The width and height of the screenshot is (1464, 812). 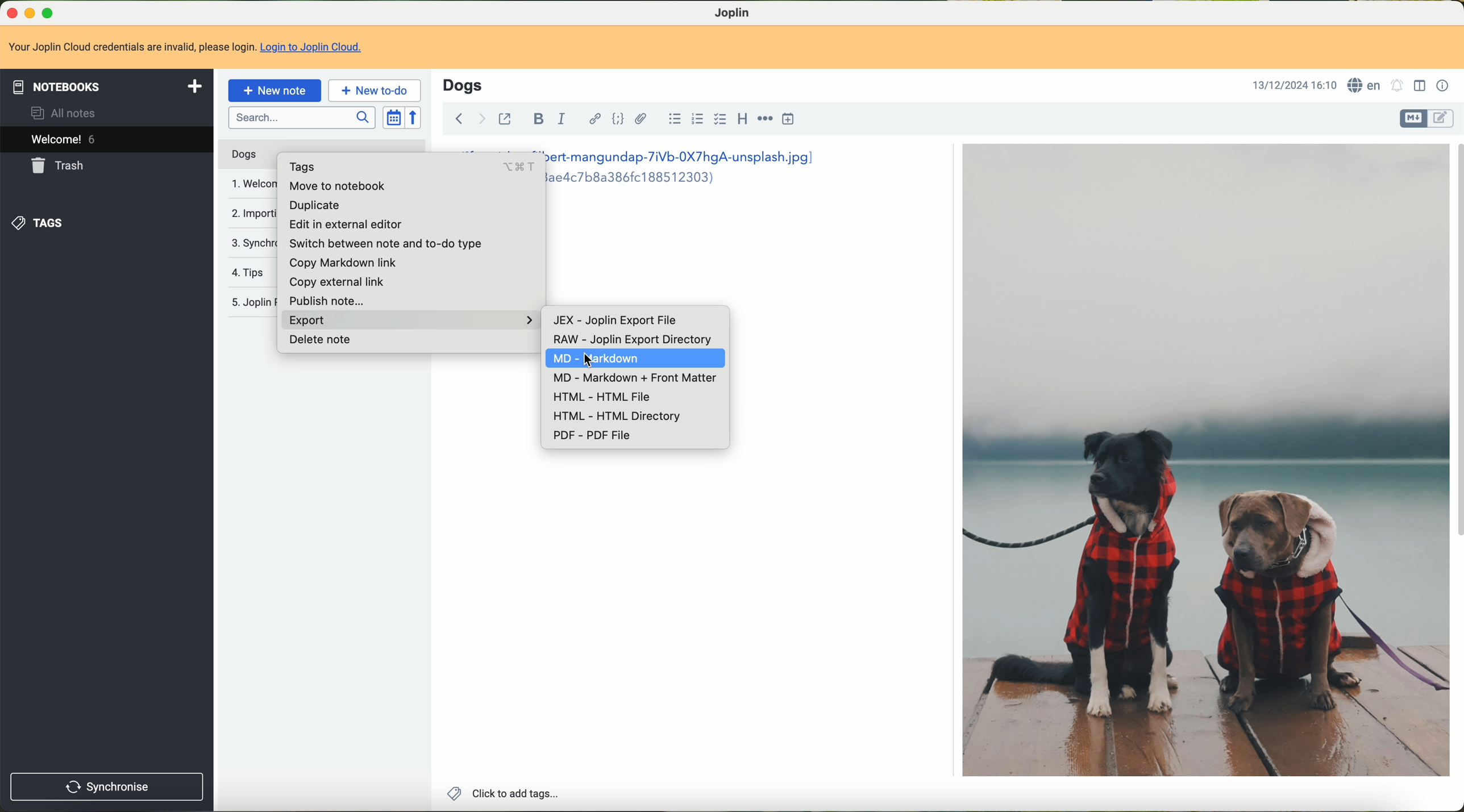 I want to click on checkbox, so click(x=721, y=121).